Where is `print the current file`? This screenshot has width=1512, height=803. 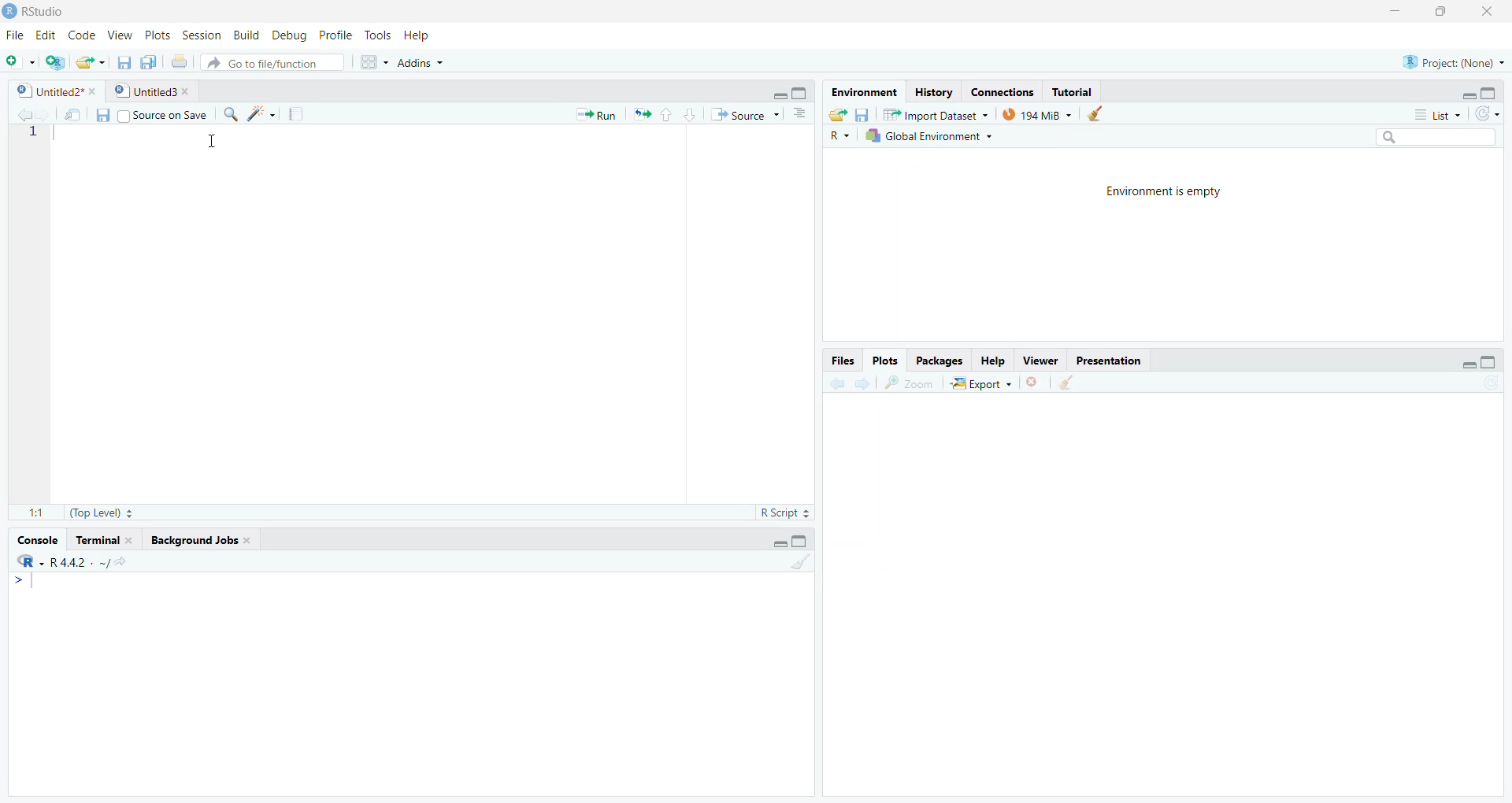 print the current file is located at coordinates (182, 62).